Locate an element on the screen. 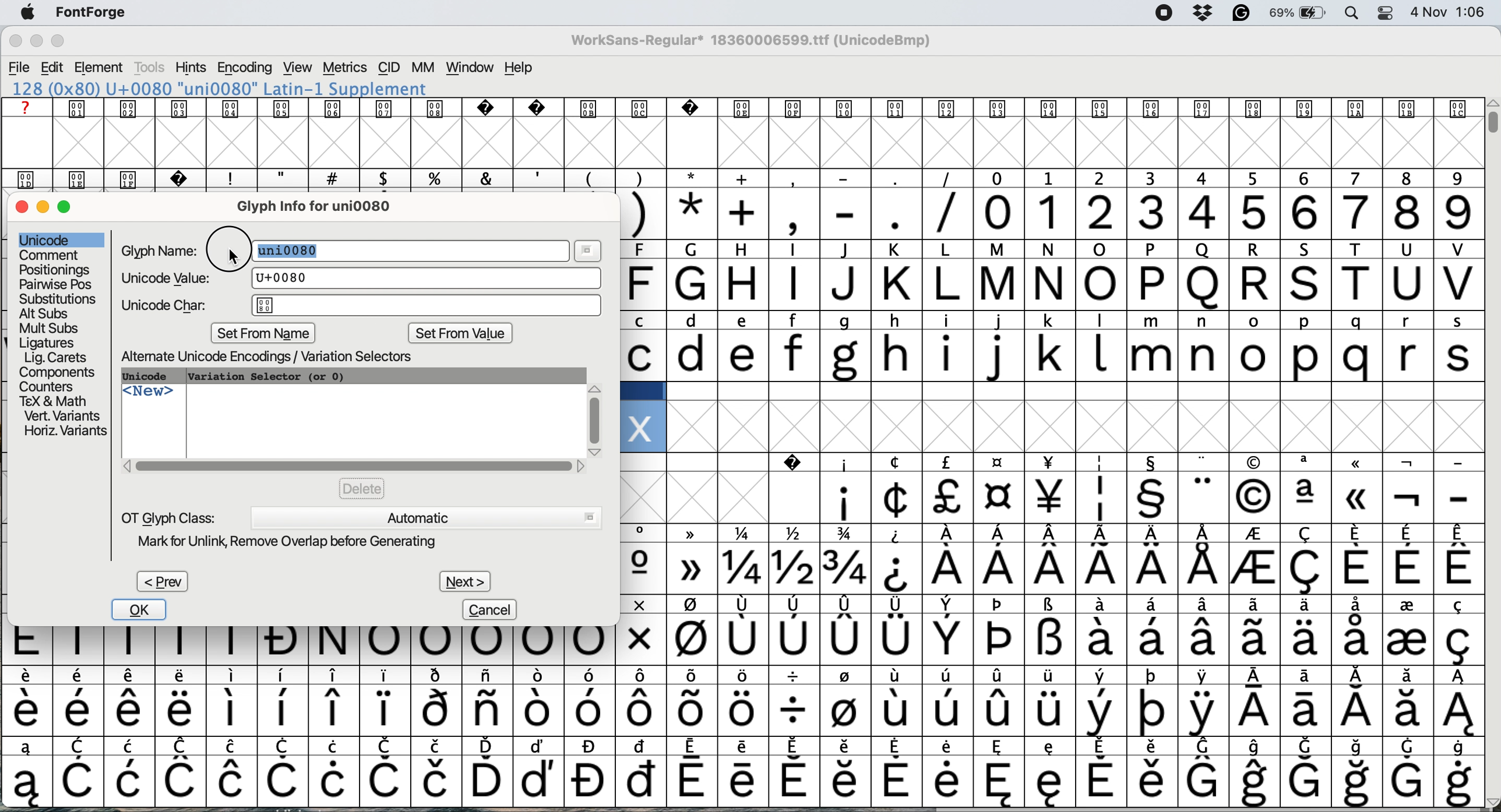  special characters is located at coordinates (739, 781).